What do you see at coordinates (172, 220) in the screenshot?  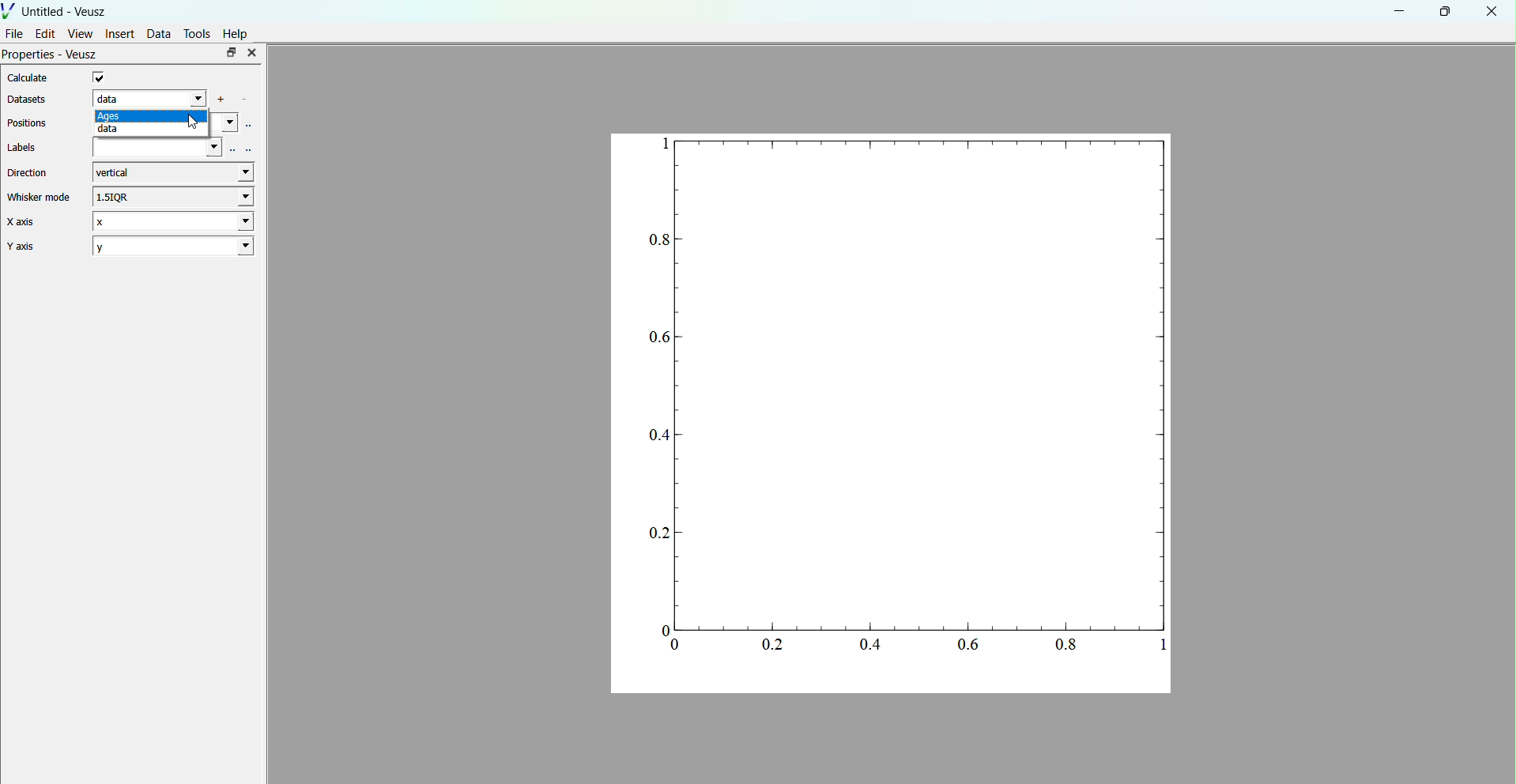 I see `X` at bounding box center [172, 220].